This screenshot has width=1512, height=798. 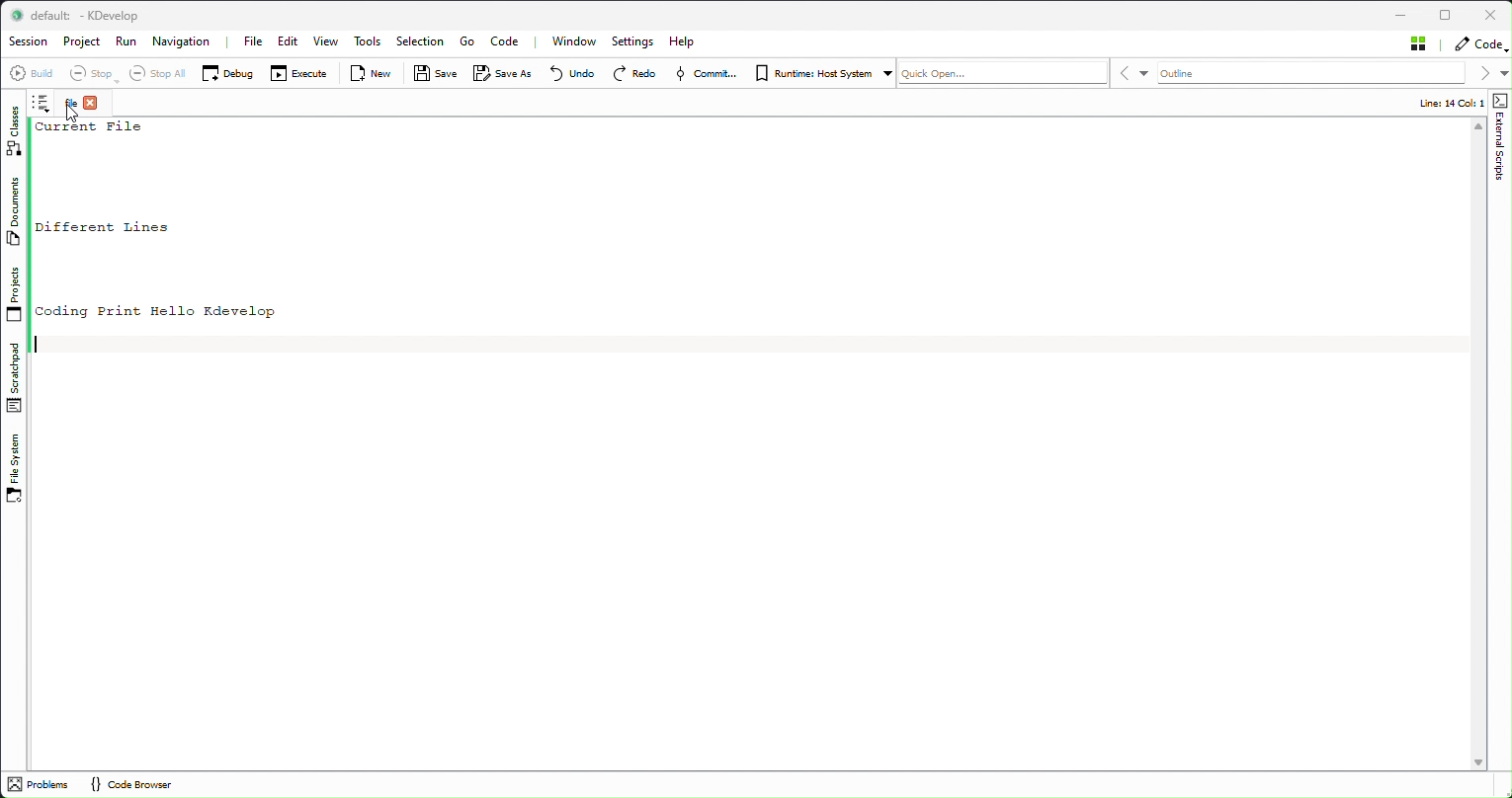 What do you see at coordinates (85, 43) in the screenshot?
I see `Project` at bounding box center [85, 43].